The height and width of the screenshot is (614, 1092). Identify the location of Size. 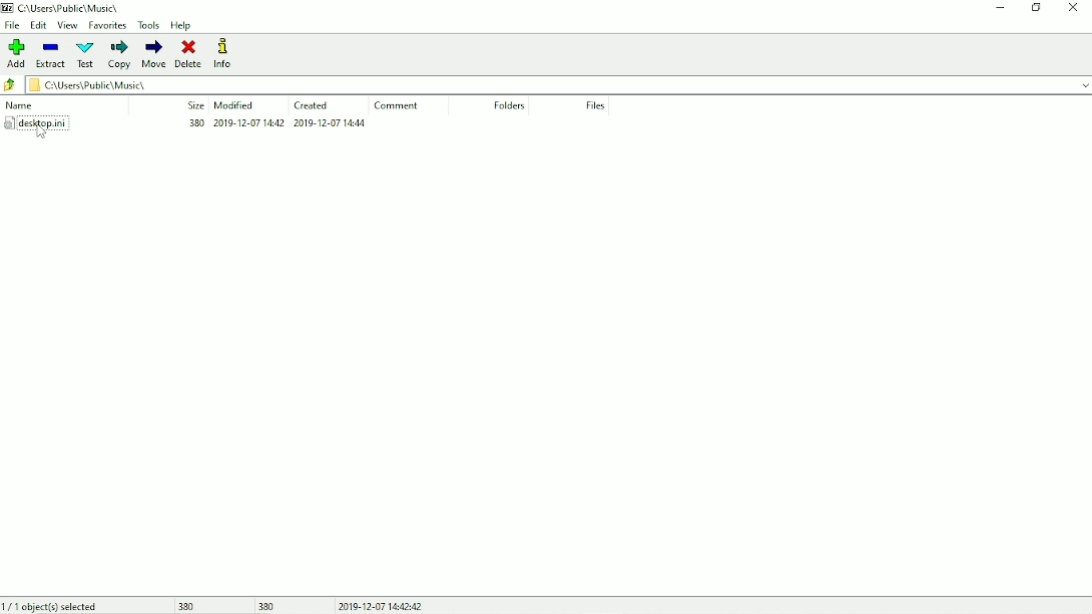
(191, 103).